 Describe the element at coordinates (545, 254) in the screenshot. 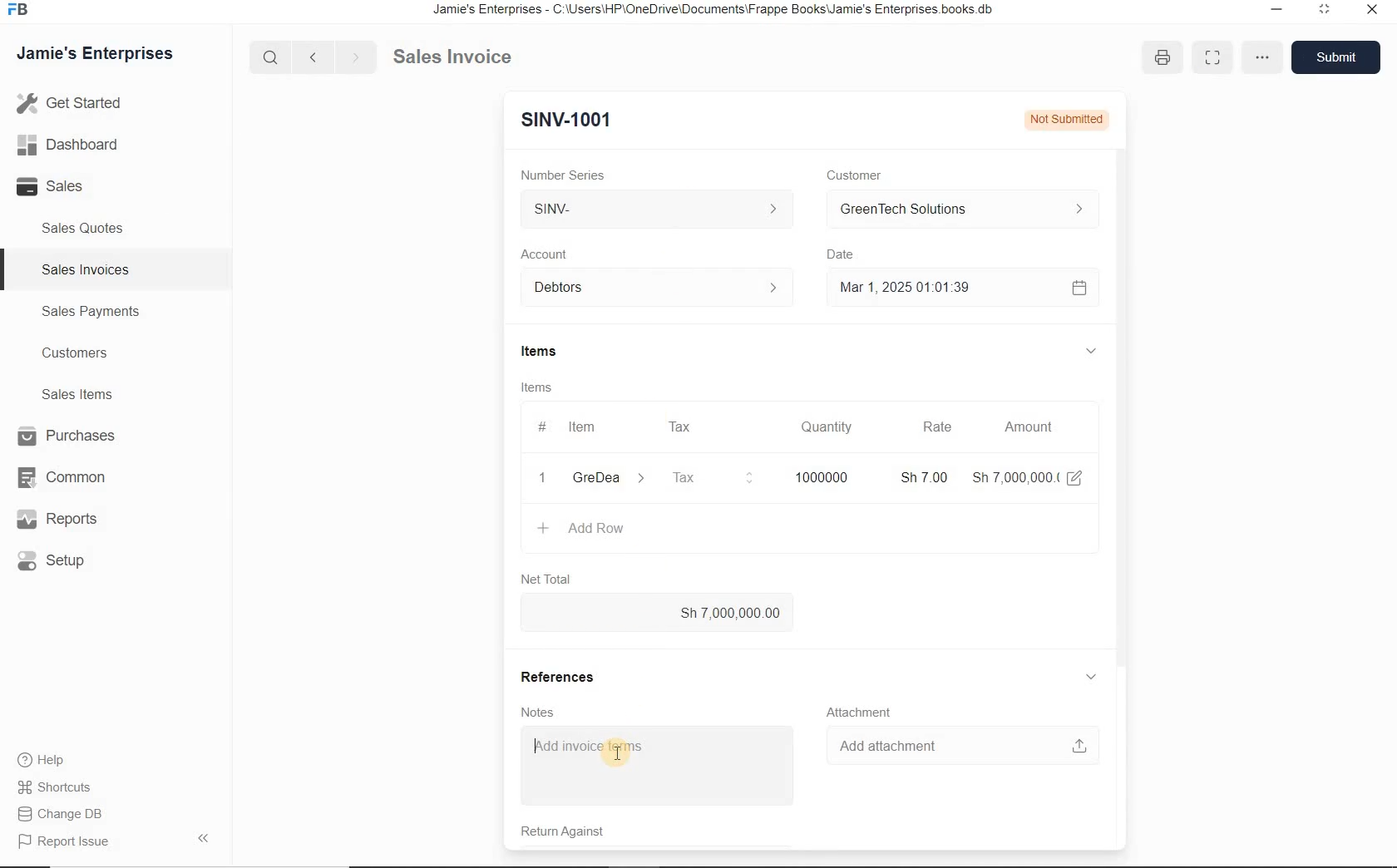

I see `Account` at that location.